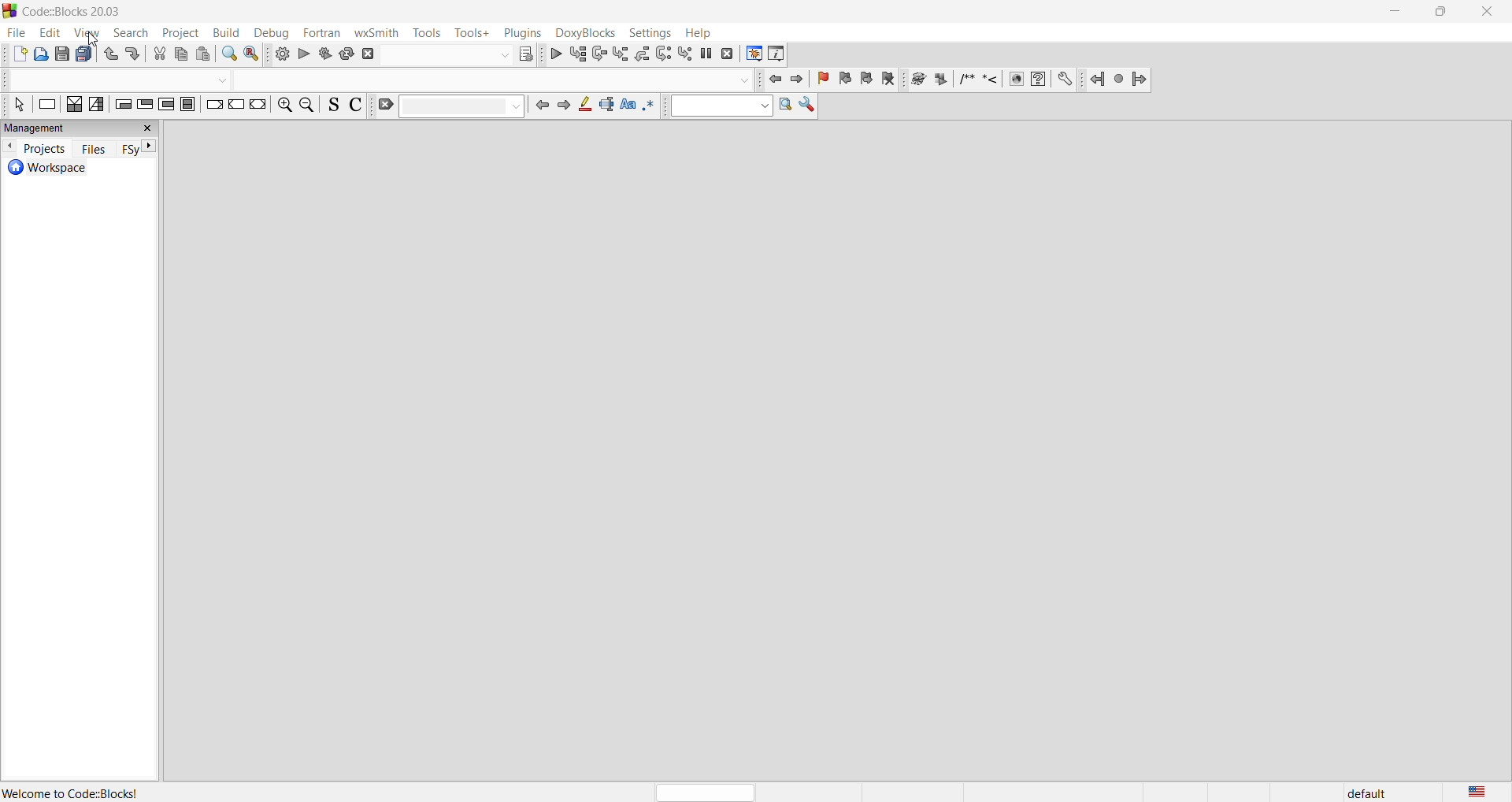  Describe the element at coordinates (642, 55) in the screenshot. I see `step out` at that location.